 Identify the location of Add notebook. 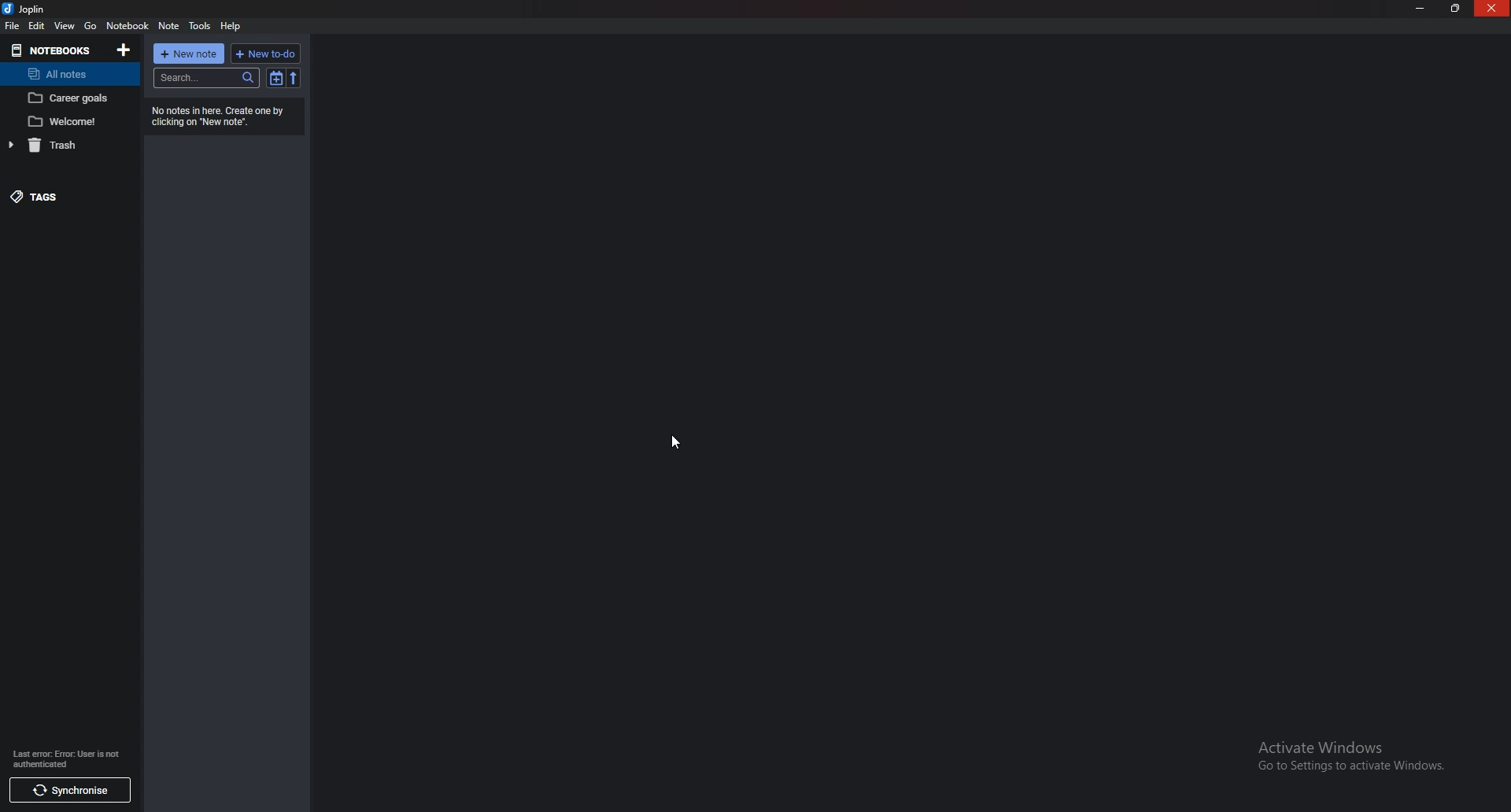
(122, 50).